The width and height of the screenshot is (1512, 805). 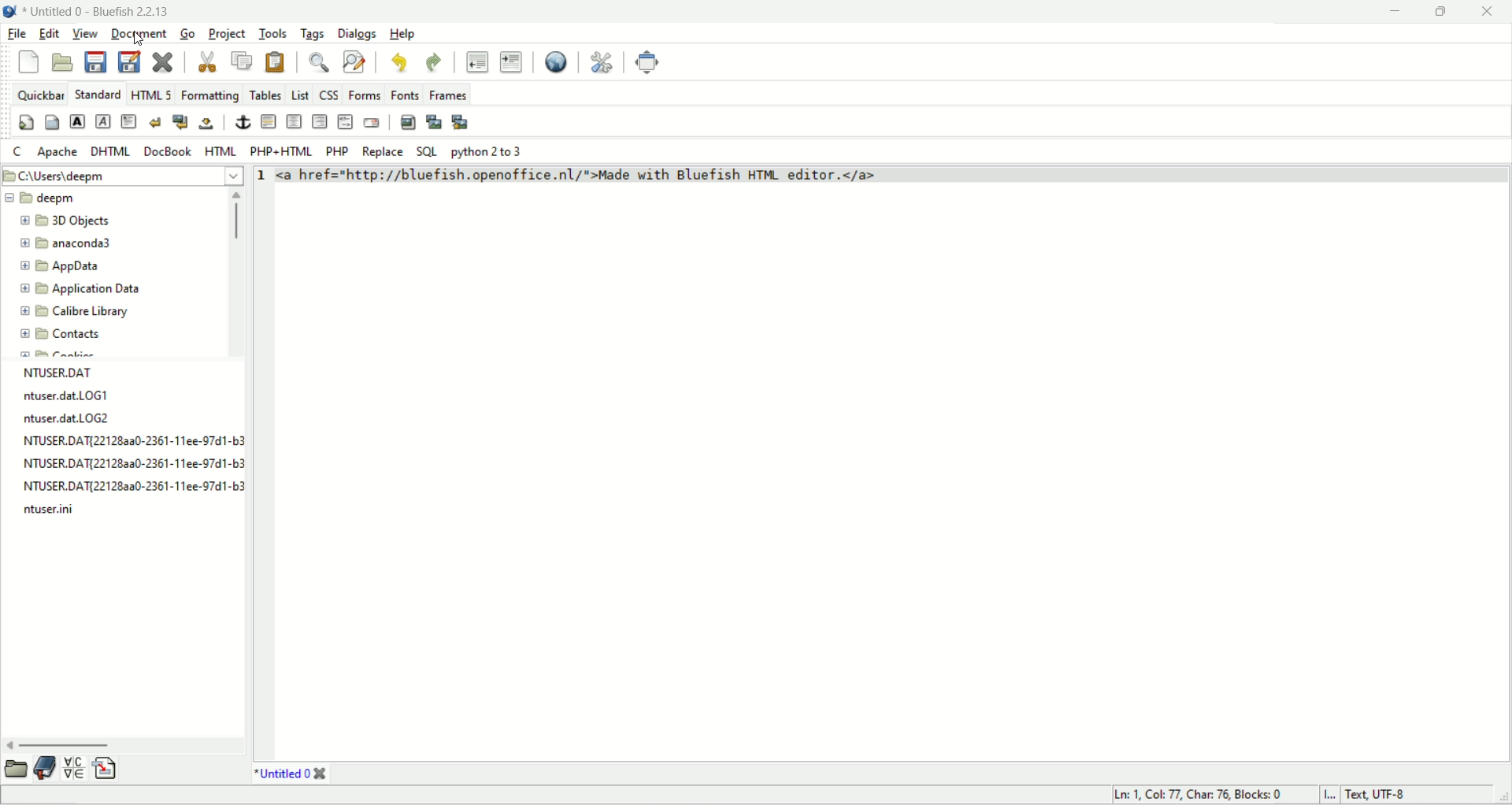 I want to click on documentation, so click(x=46, y=766).